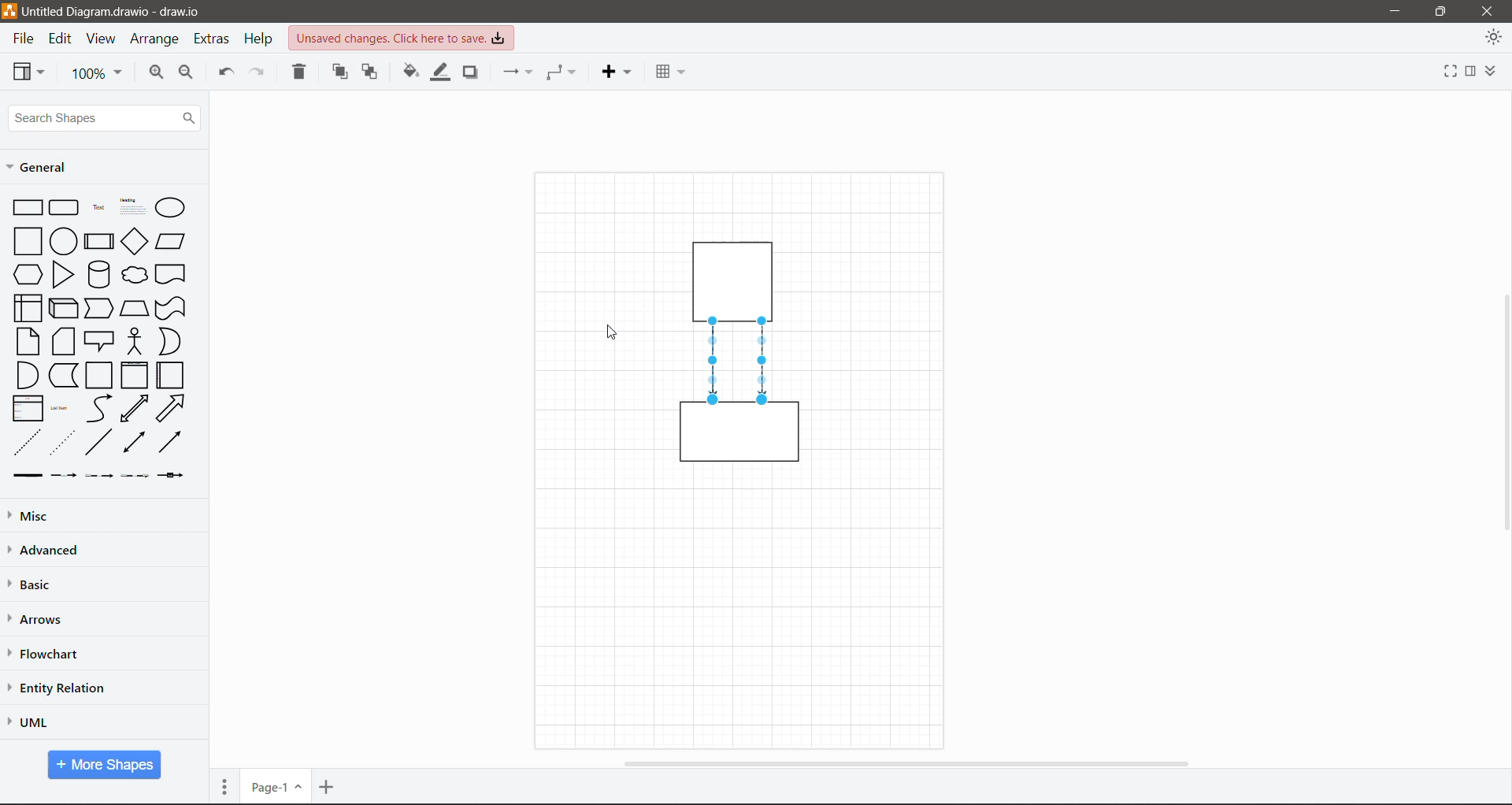  What do you see at coordinates (172, 408) in the screenshot?
I see `arrow` at bounding box center [172, 408].